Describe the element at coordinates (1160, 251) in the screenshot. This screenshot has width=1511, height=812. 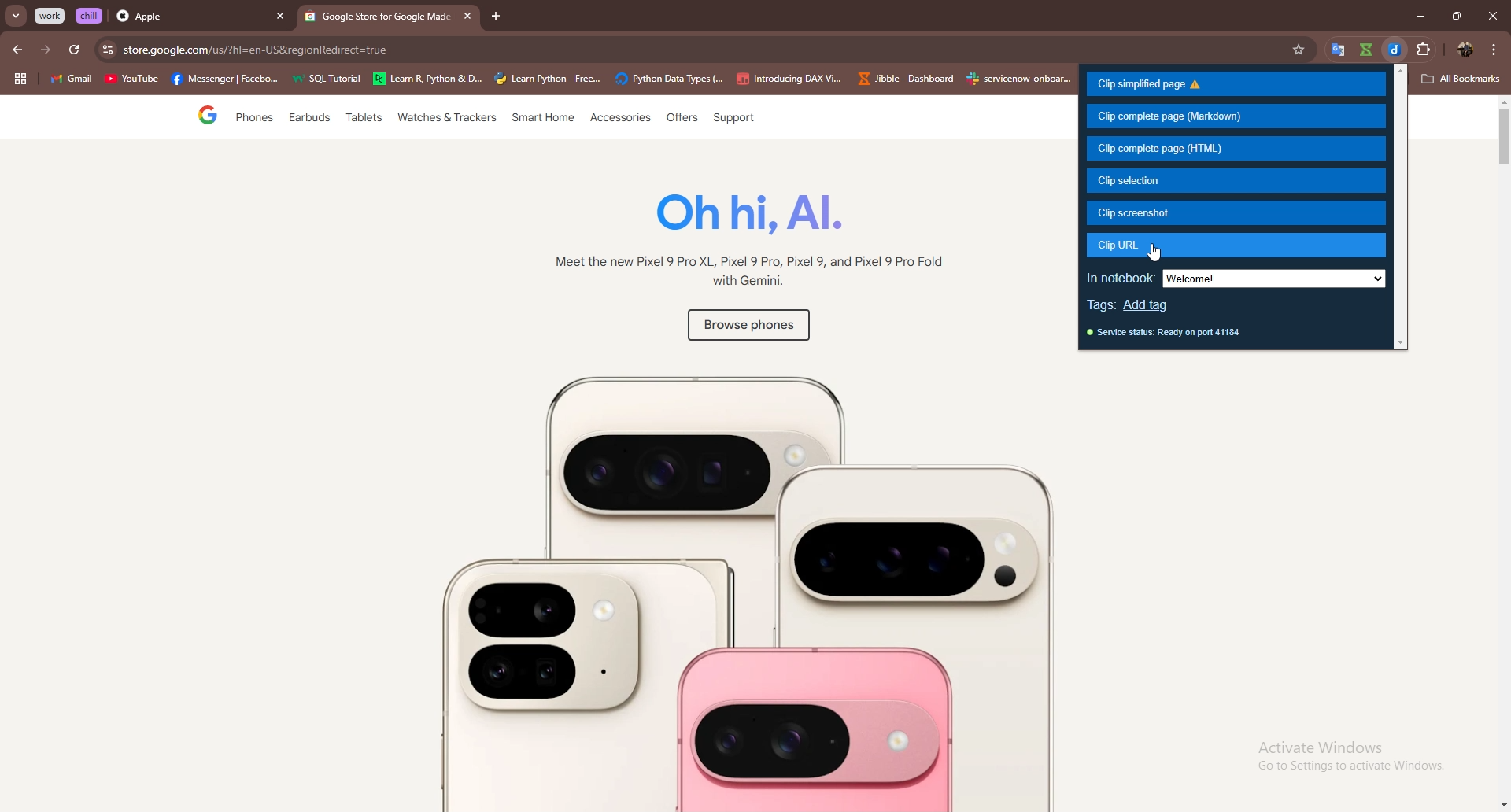
I see `cursor` at that location.